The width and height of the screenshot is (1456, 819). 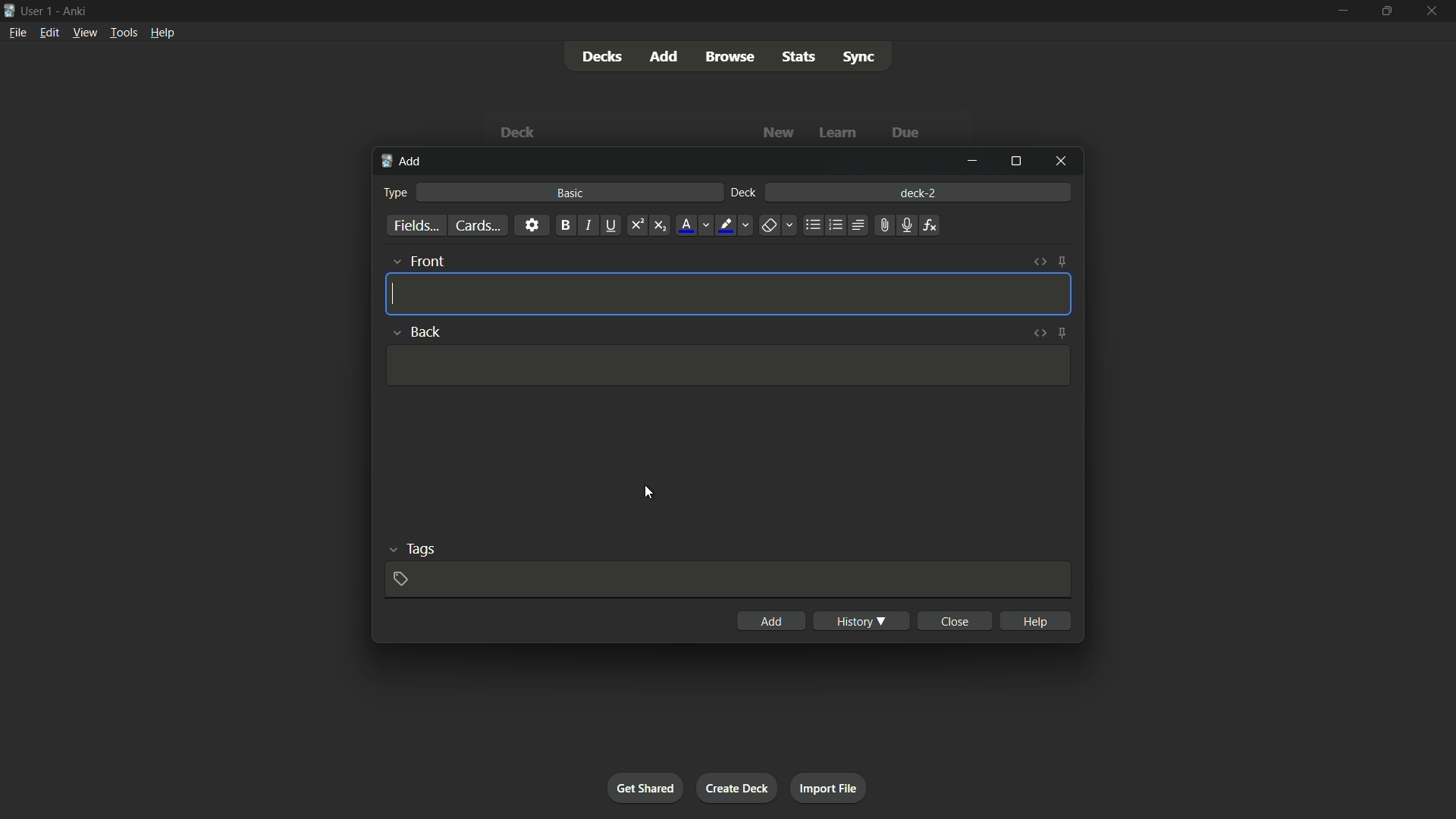 What do you see at coordinates (47, 32) in the screenshot?
I see `edit menu` at bounding box center [47, 32].